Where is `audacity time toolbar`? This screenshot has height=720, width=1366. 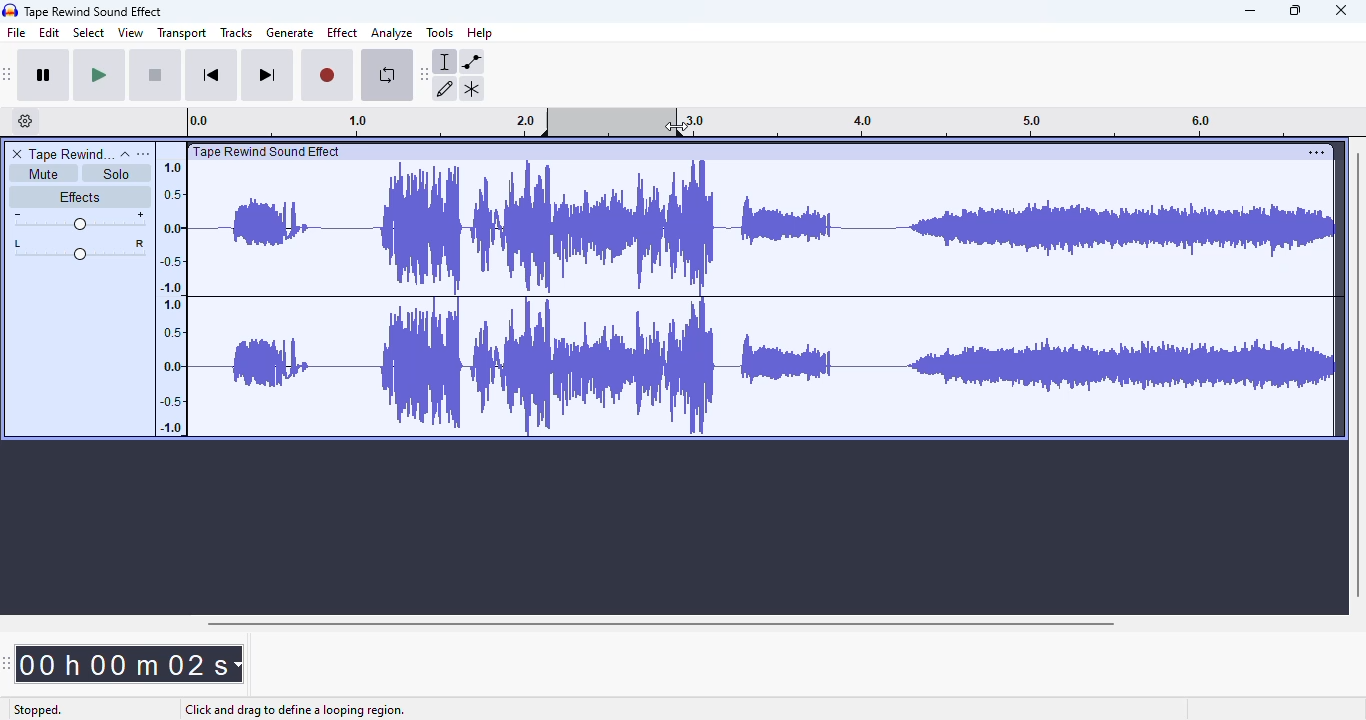 audacity time toolbar is located at coordinates (7, 662).